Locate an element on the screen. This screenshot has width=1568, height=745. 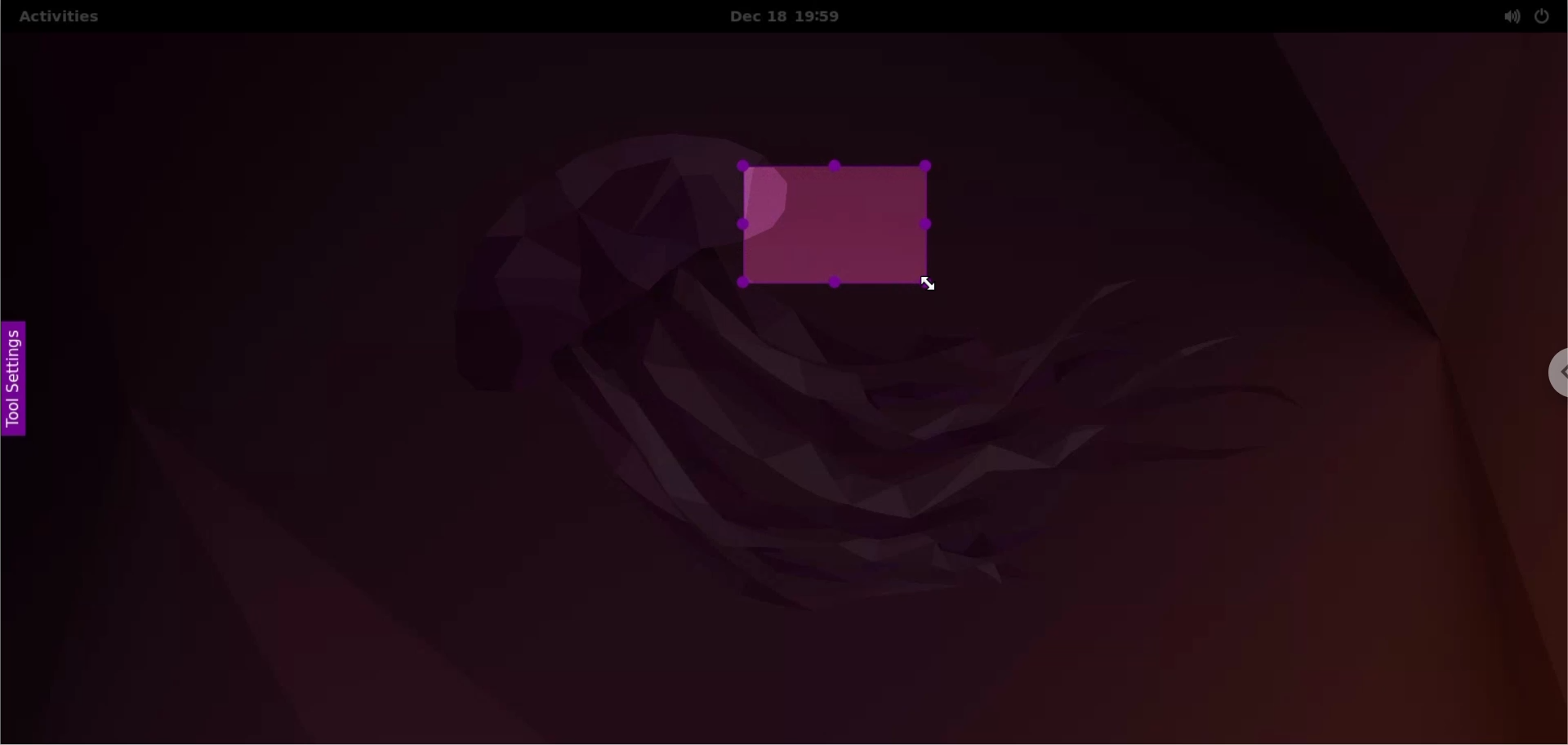
chrome options is located at coordinates (1555, 377).